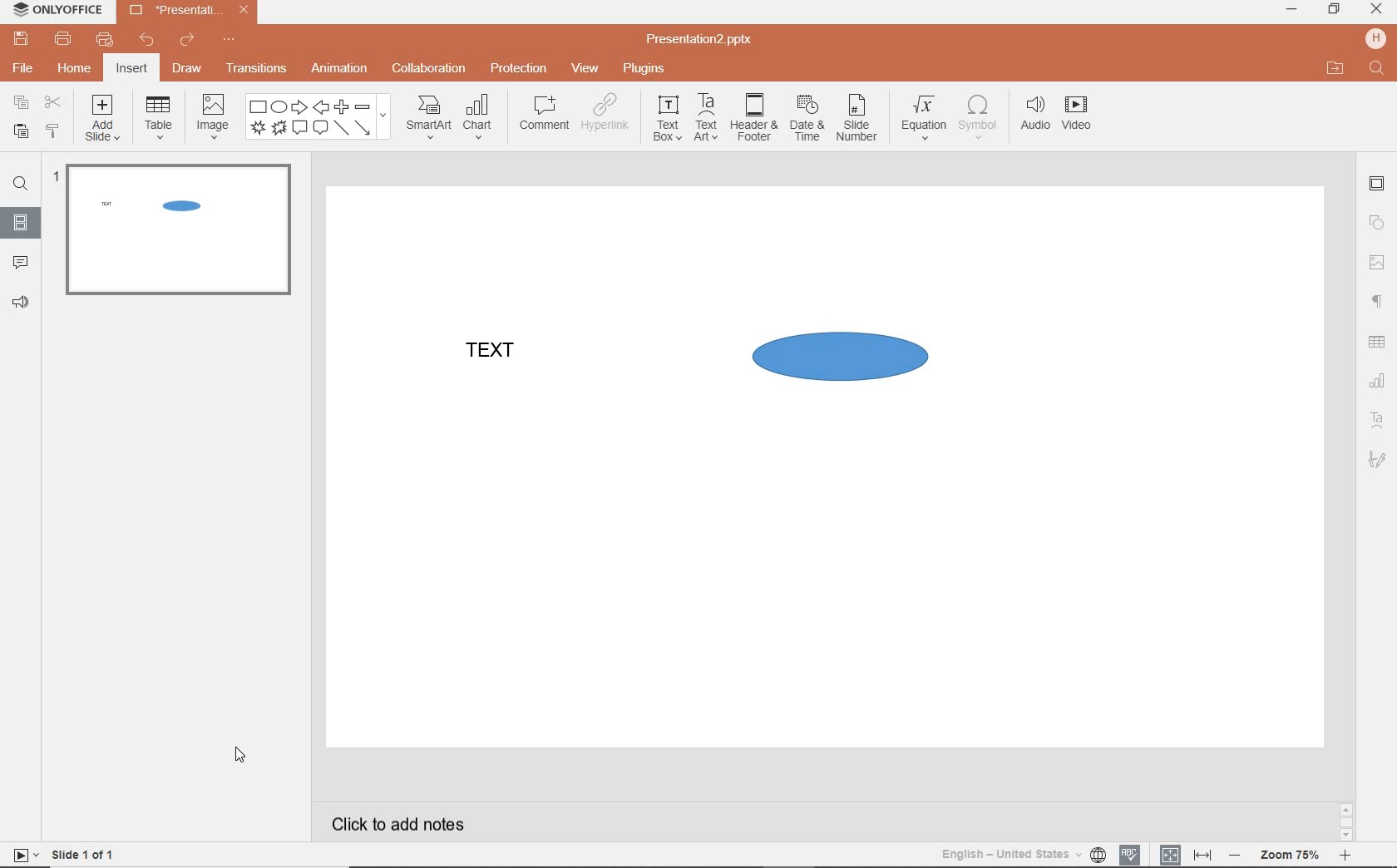 The width and height of the screenshot is (1397, 868). Describe the element at coordinates (402, 822) in the screenshot. I see `CLICK TO ADD NOTES` at that location.